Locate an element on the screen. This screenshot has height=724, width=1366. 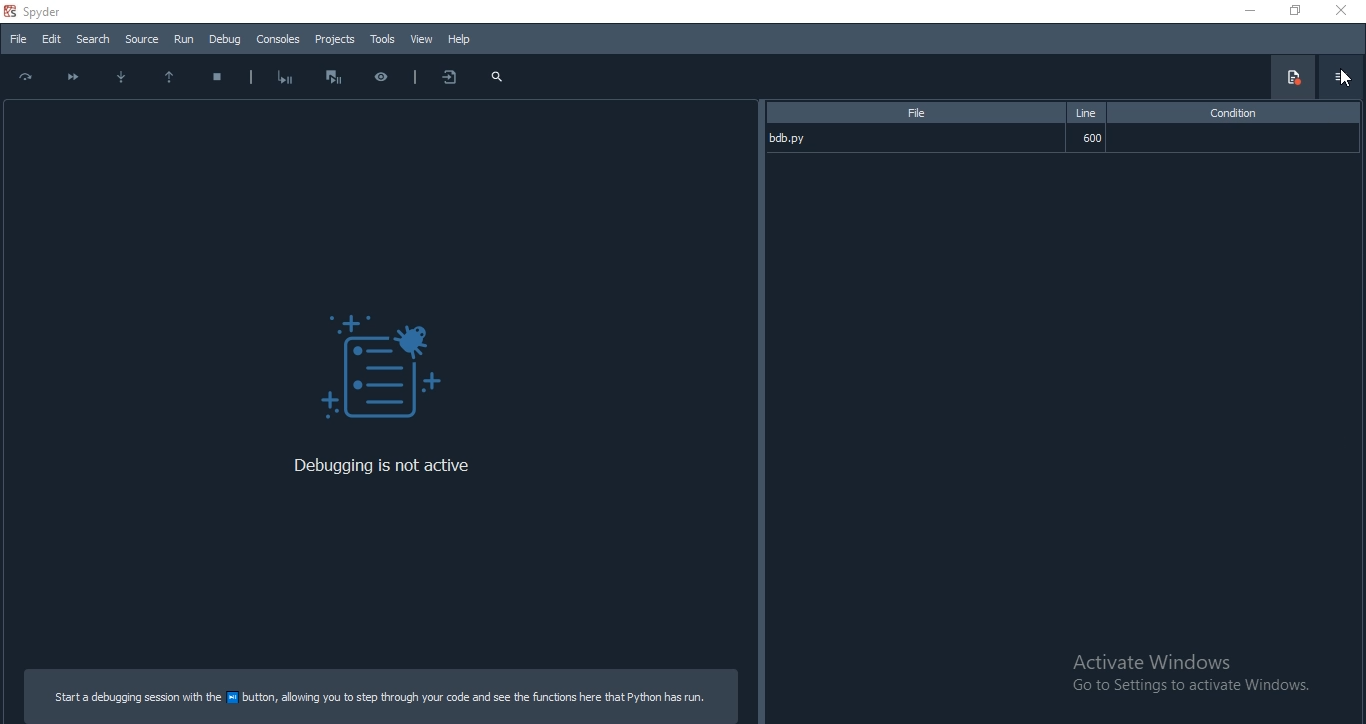
Close is located at coordinates (1345, 12).